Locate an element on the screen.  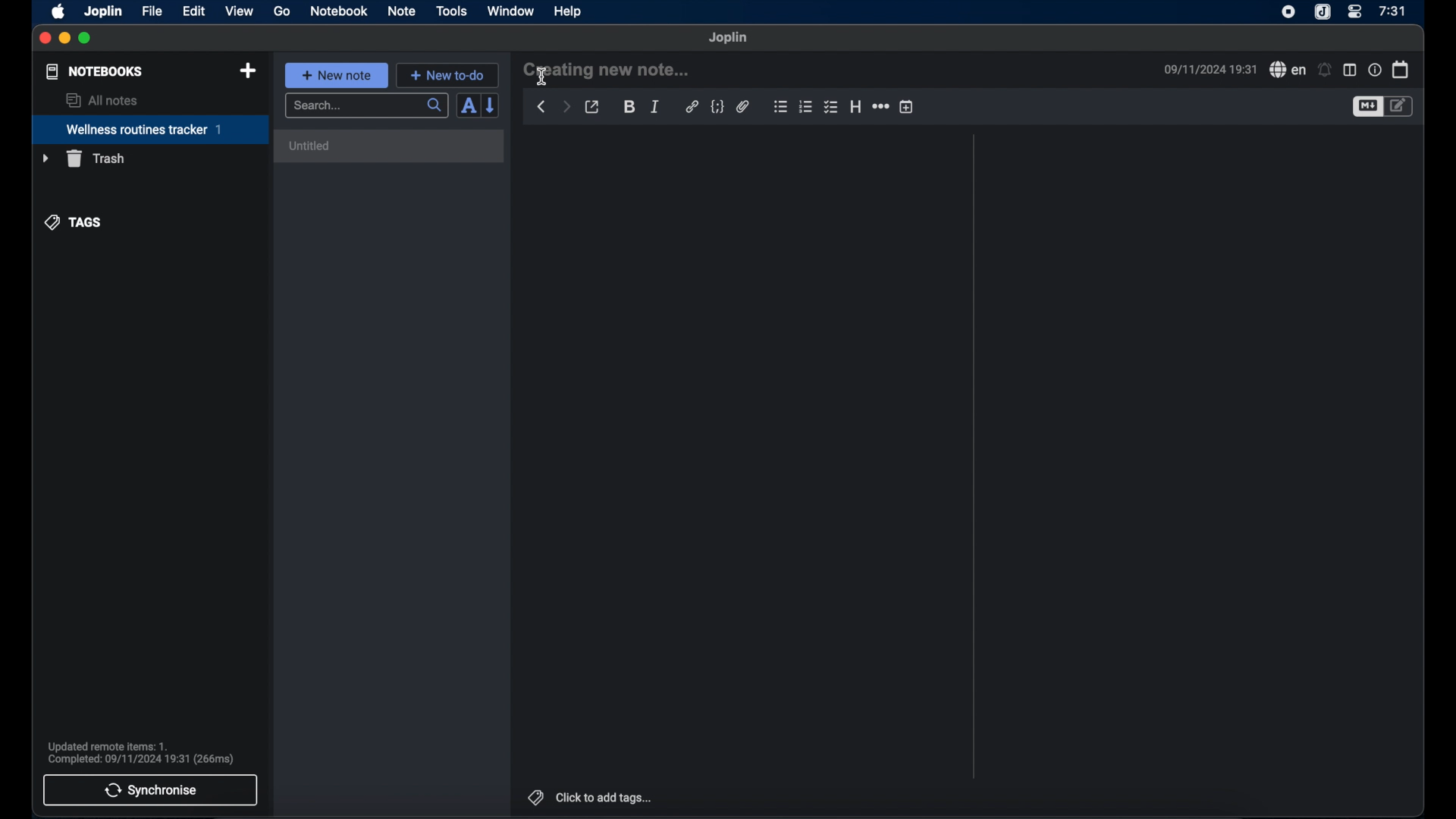
joplin is located at coordinates (729, 38).